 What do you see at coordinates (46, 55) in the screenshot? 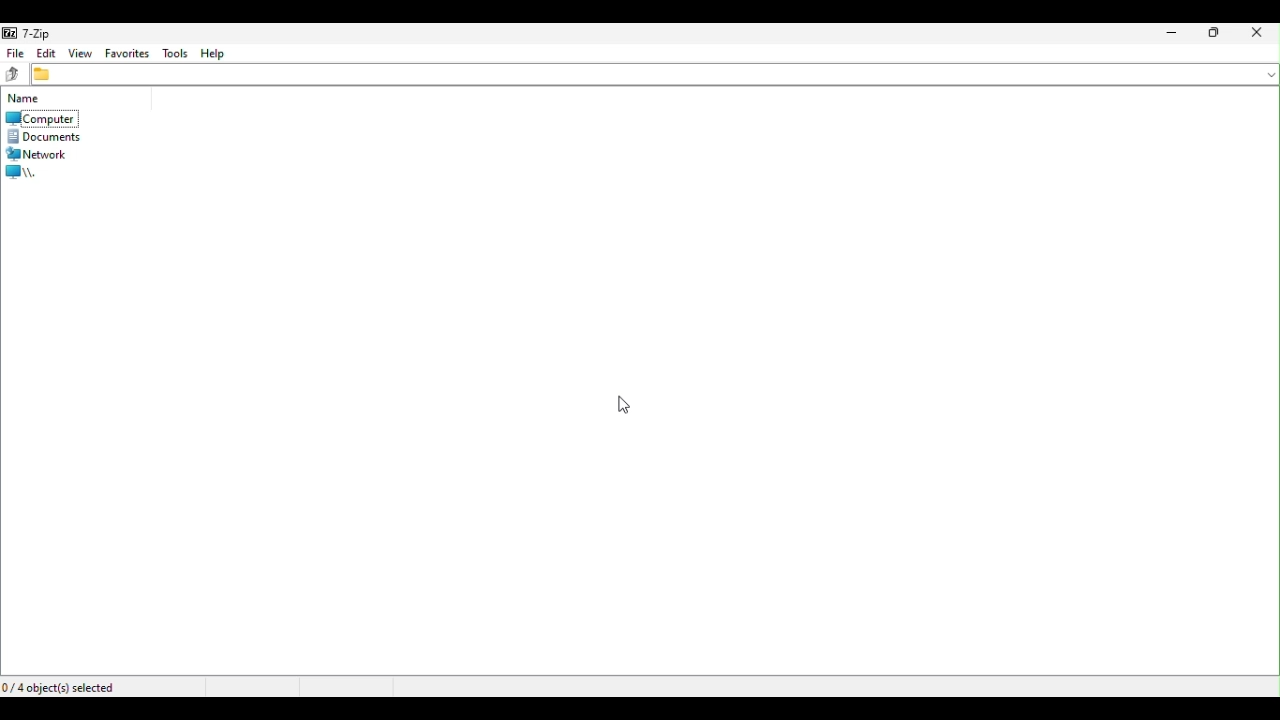
I see `Edit` at bounding box center [46, 55].